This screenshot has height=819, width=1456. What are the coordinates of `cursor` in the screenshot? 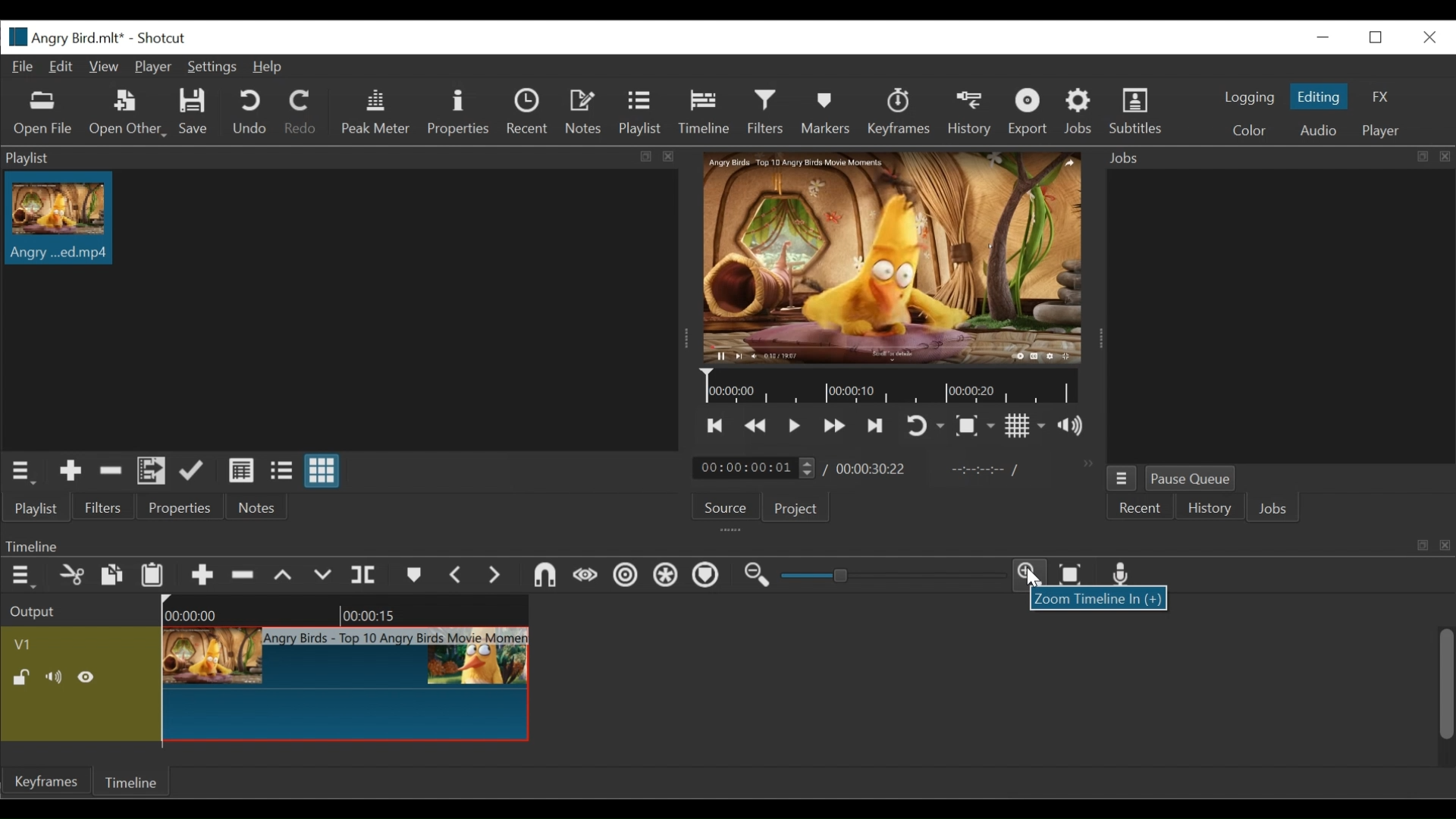 It's located at (1039, 582).